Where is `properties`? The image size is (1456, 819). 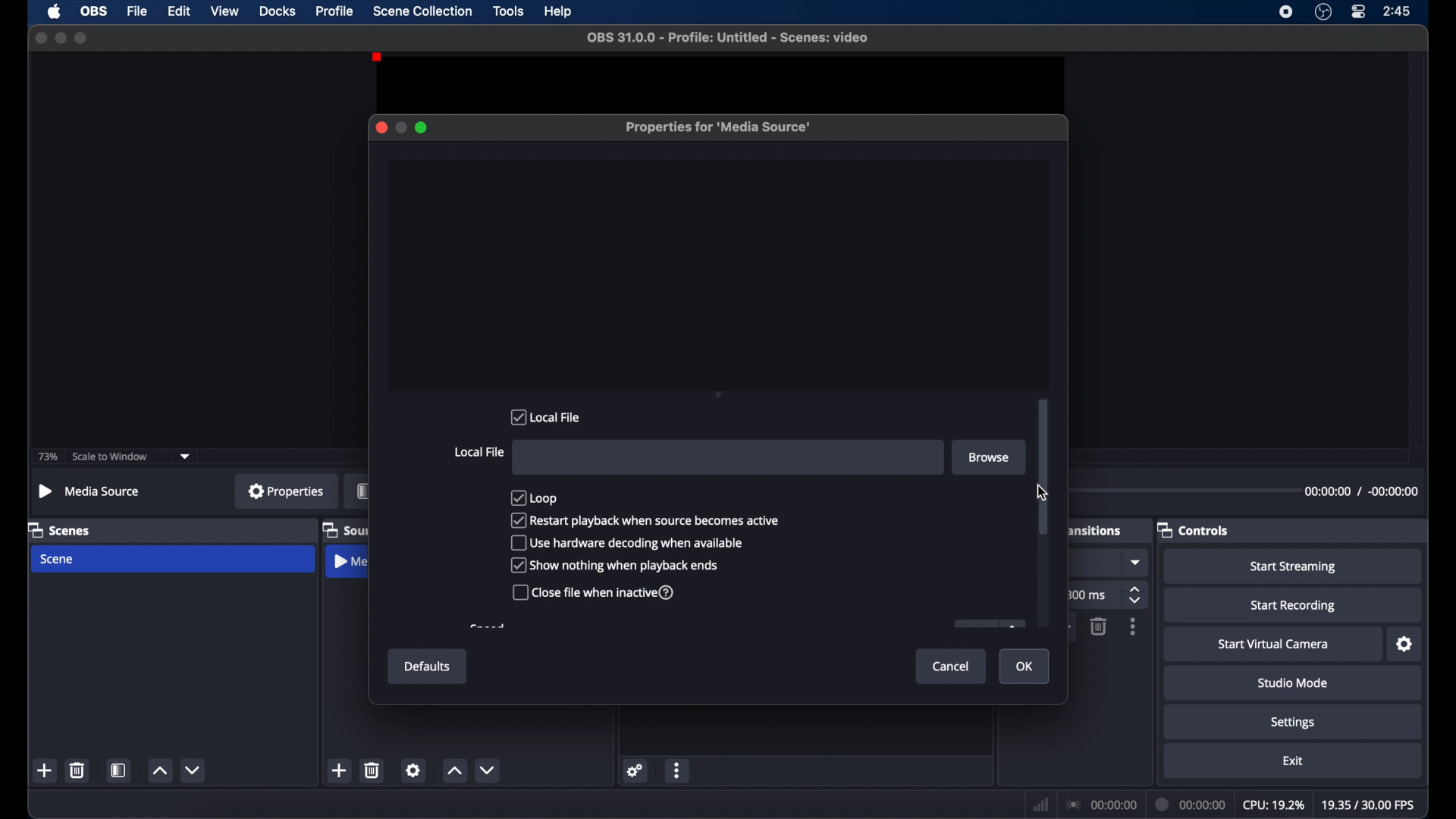
properties is located at coordinates (286, 491).